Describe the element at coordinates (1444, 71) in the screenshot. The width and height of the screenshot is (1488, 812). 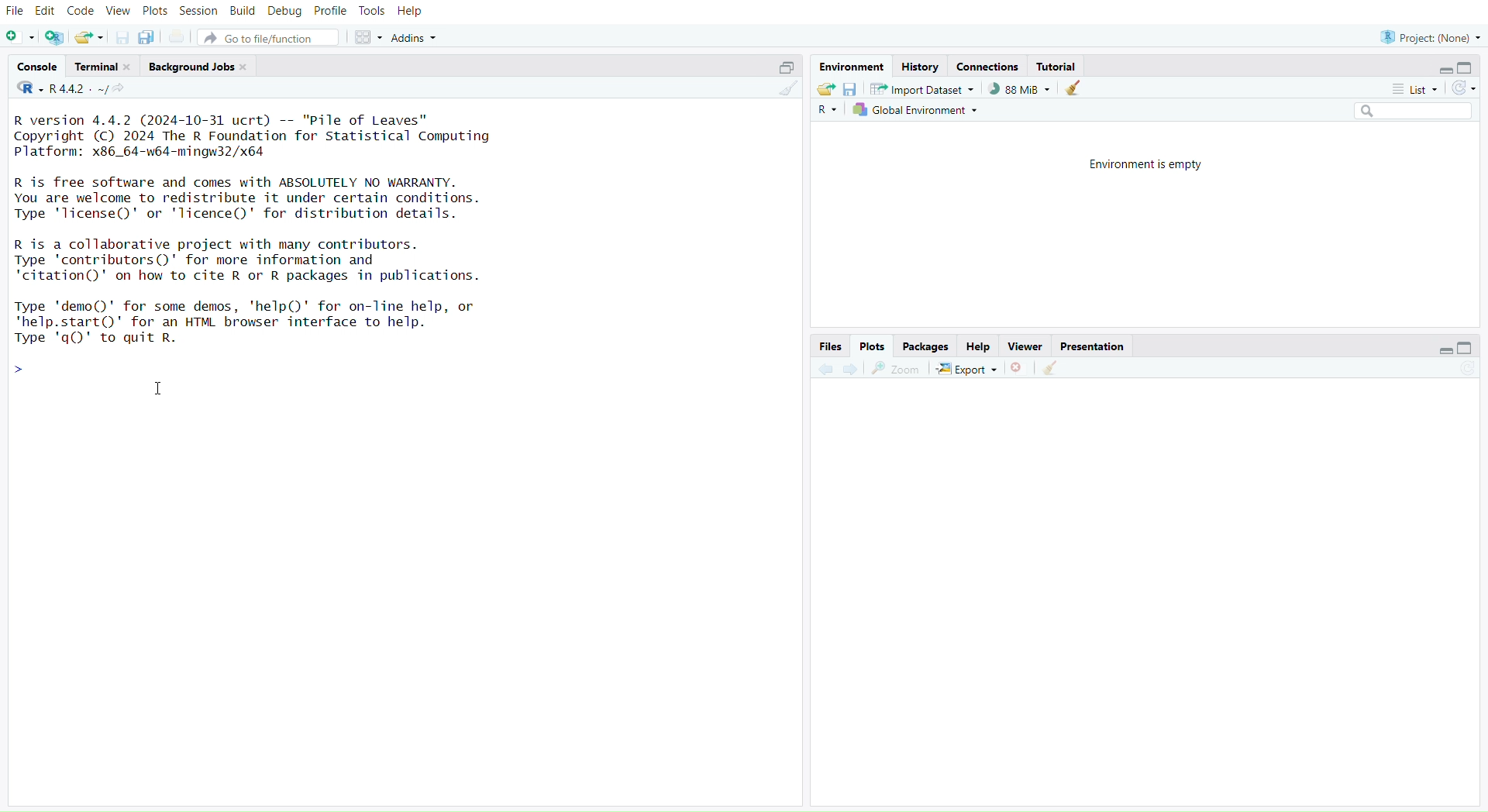
I see `expand` at that location.